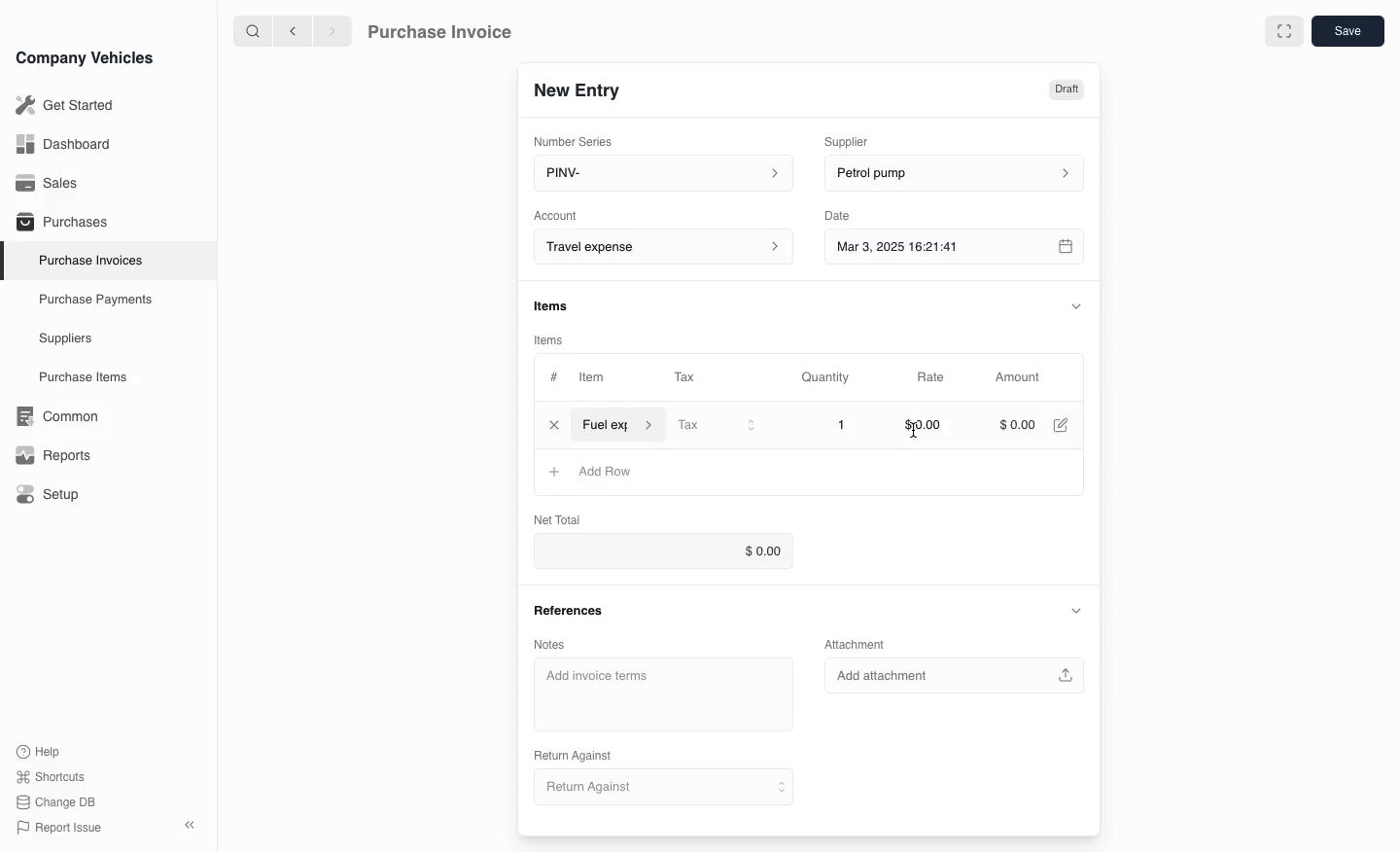 The width and height of the screenshot is (1400, 852). What do you see at coordinates (956, 675) in the screenshot?
I see `Add attachment` at bounding box center [956, 675].